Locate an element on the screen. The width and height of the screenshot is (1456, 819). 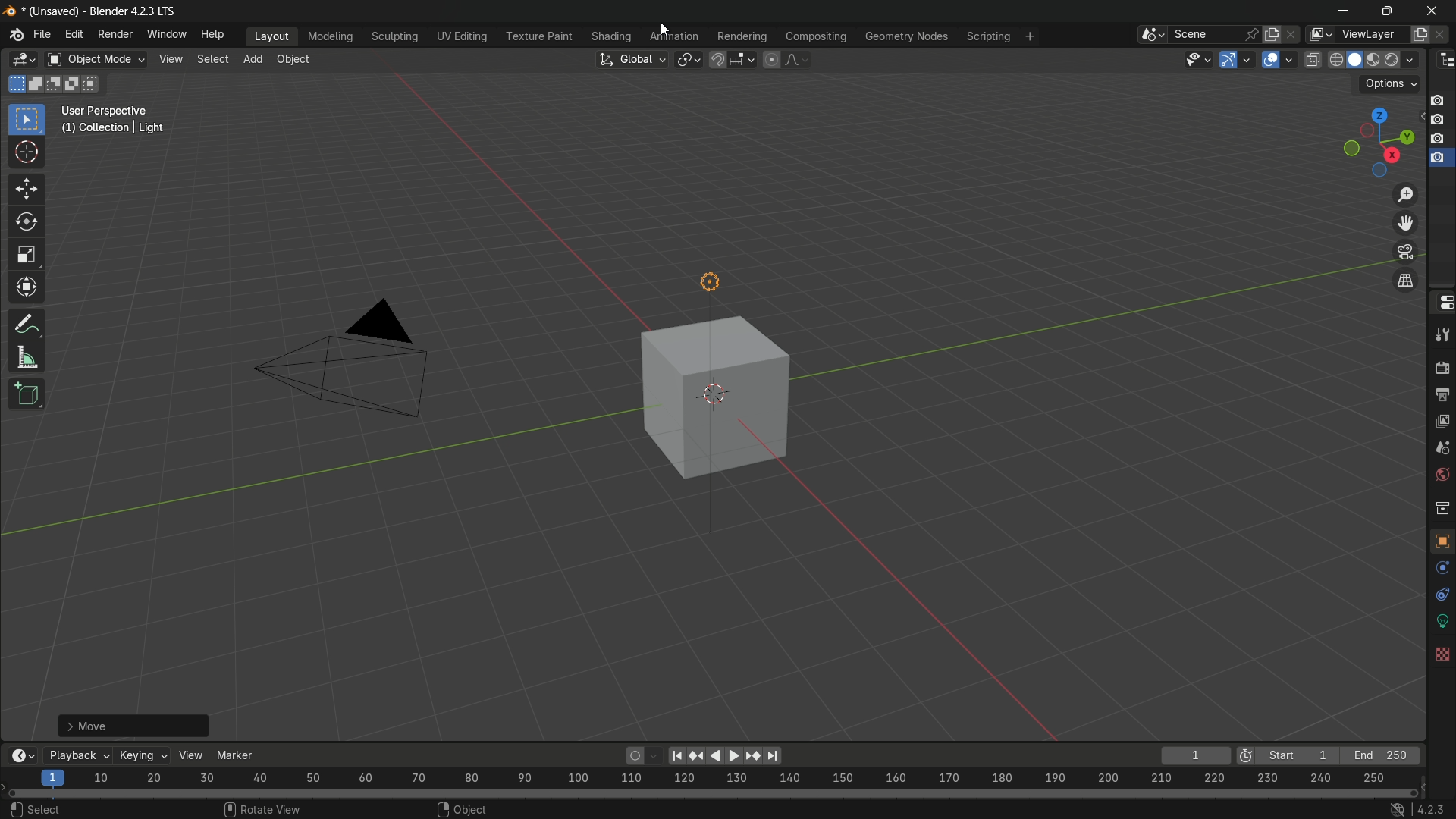
capture is located at coordinates (1438, 140).